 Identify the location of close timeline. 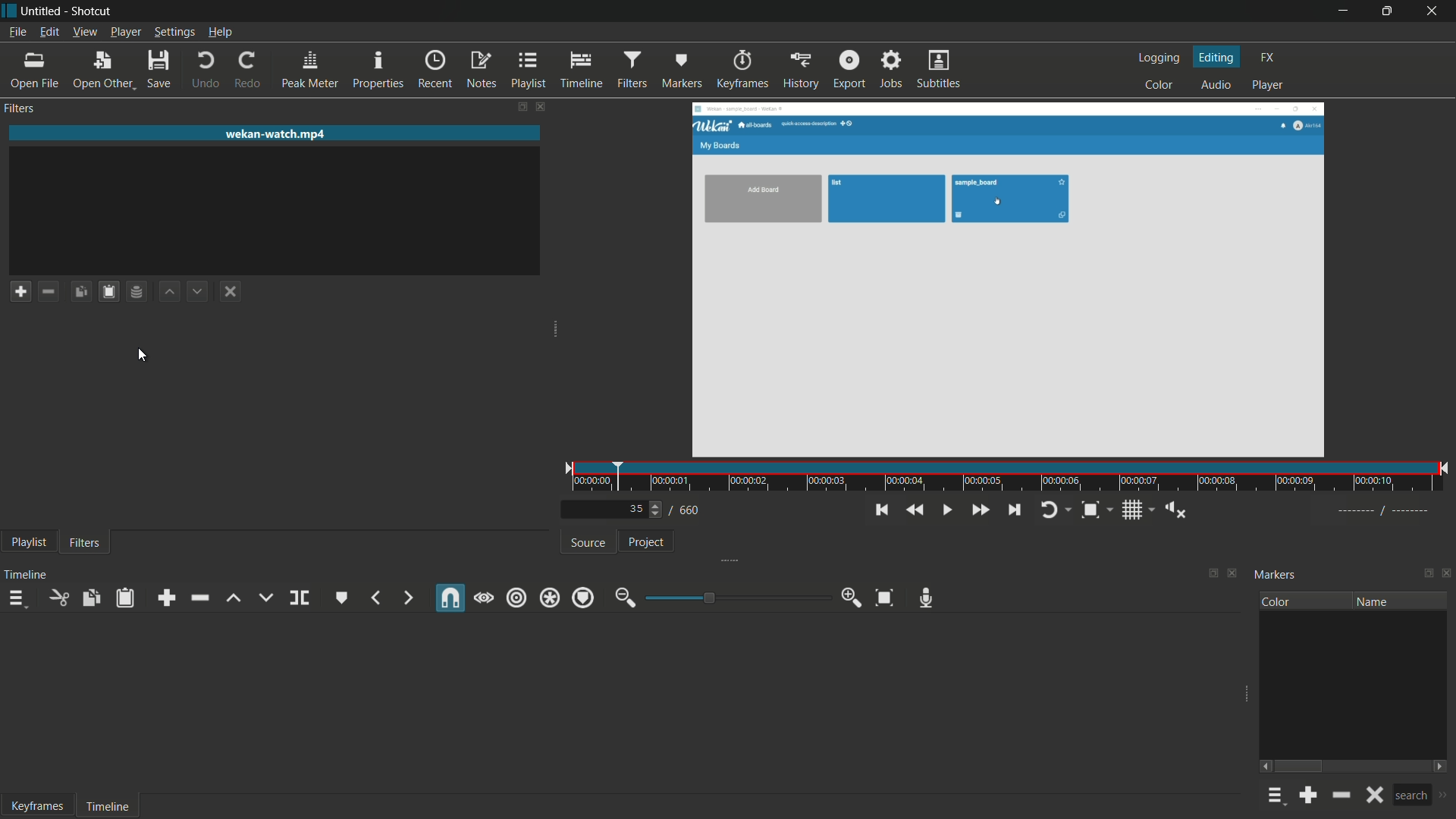
(1234, 572).